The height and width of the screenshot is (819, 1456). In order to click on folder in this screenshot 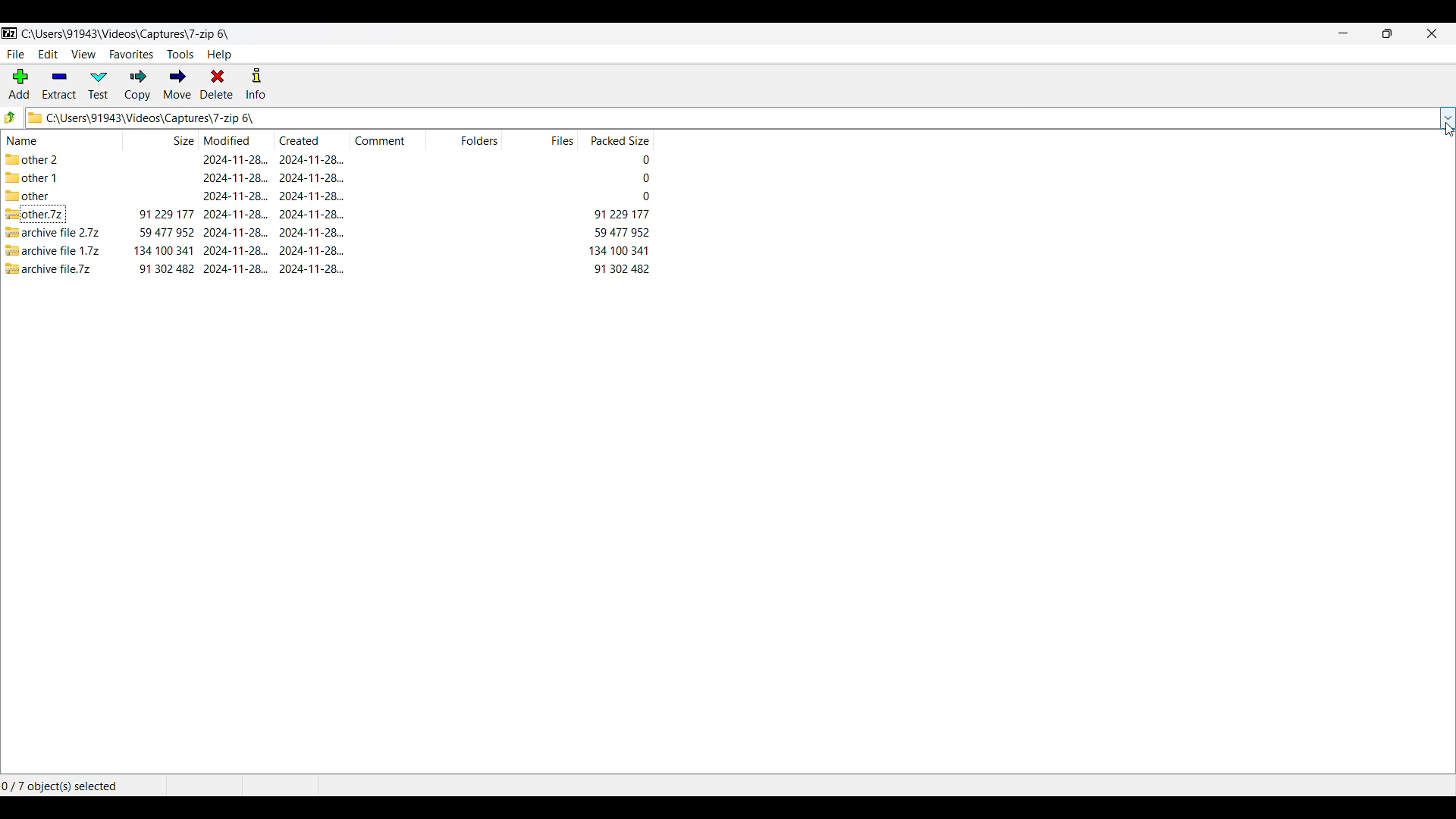, I will do `click(33, 177)`.